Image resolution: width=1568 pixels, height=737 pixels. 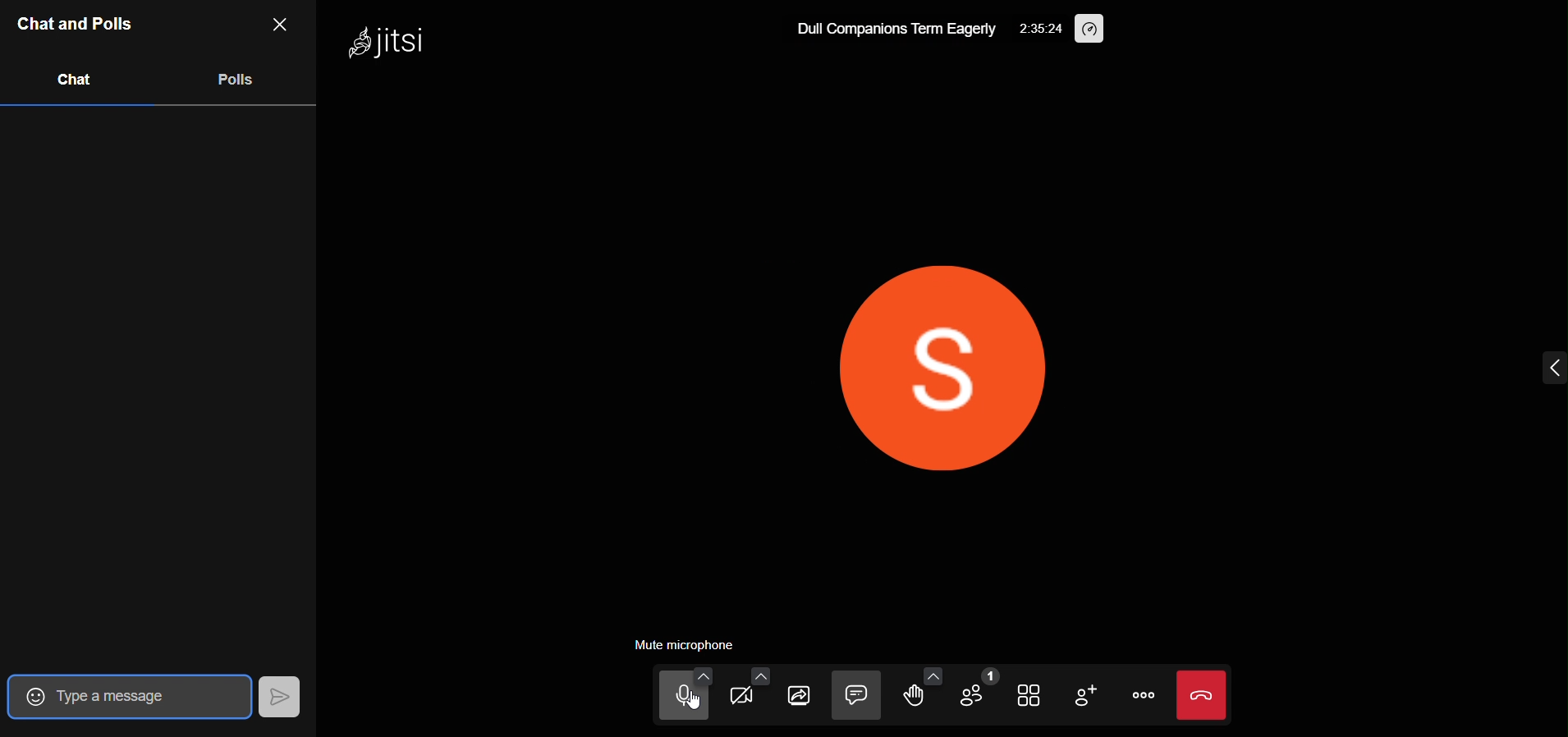 I want to click on mute microphone, so click(x=686, y=644).